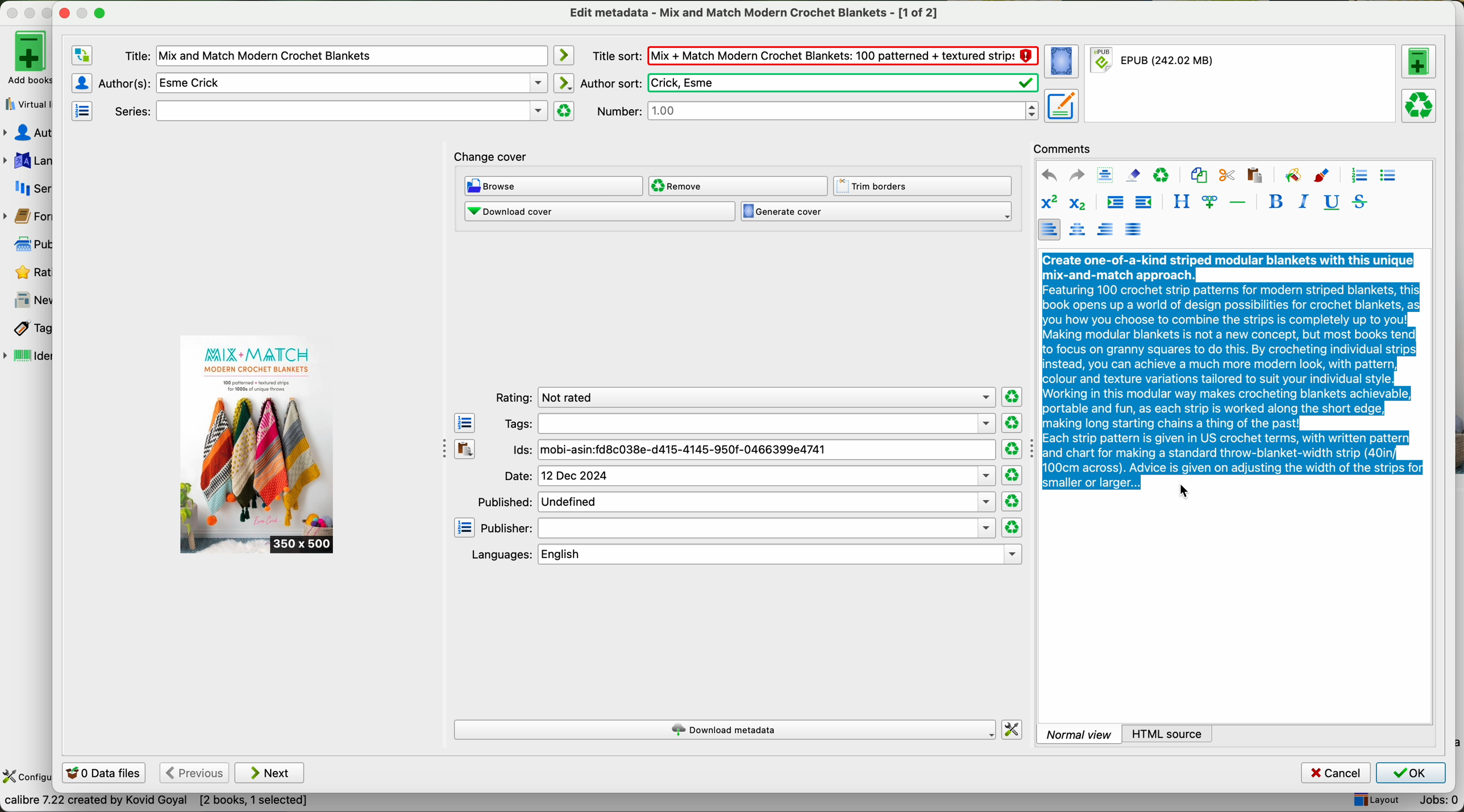  Describe the element at coordinates (1227, 176) in the screenshot. I see `cut` at that location.